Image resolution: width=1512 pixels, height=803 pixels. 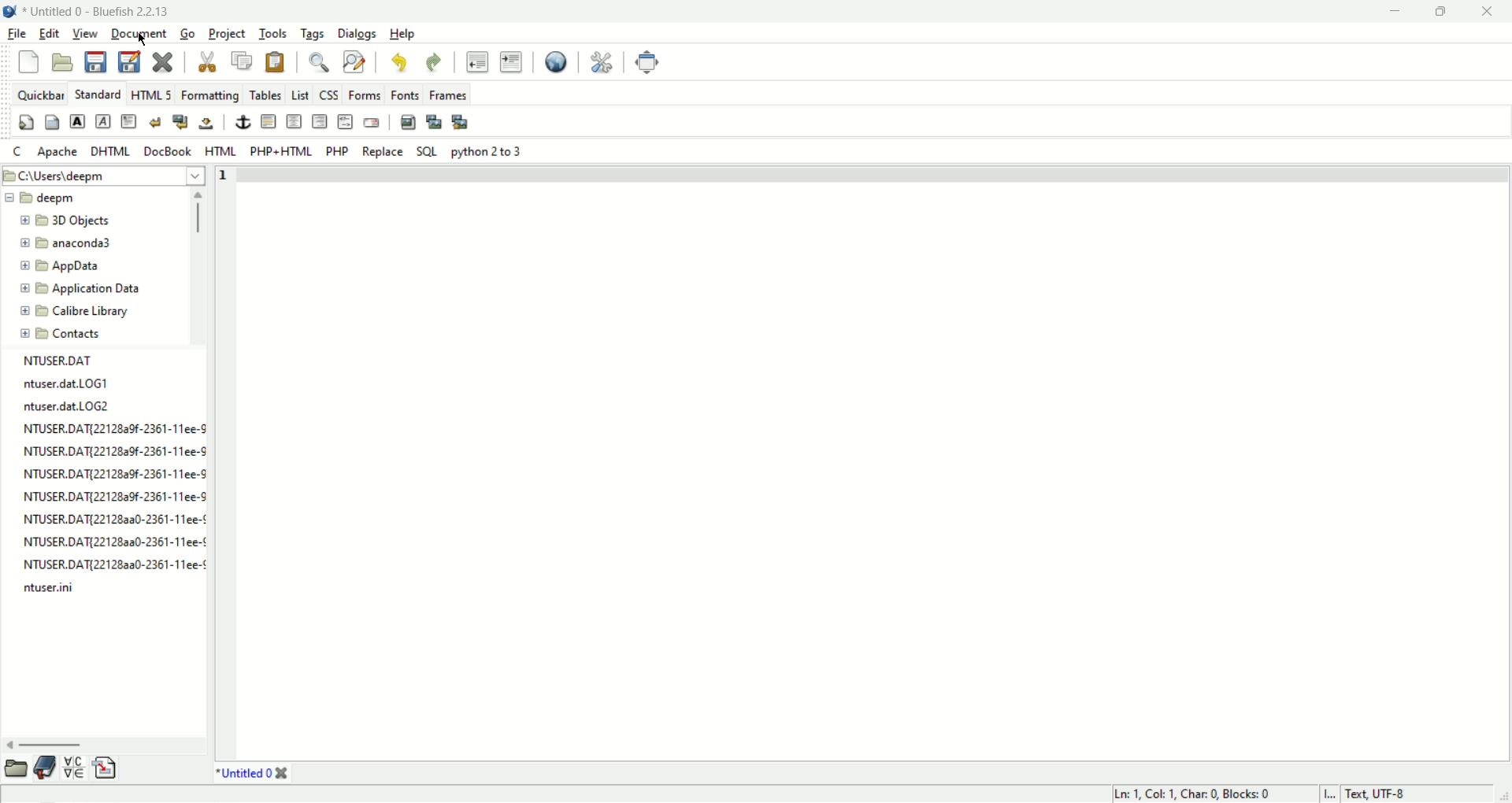 I want to click on list, so click(x=301, y=95).